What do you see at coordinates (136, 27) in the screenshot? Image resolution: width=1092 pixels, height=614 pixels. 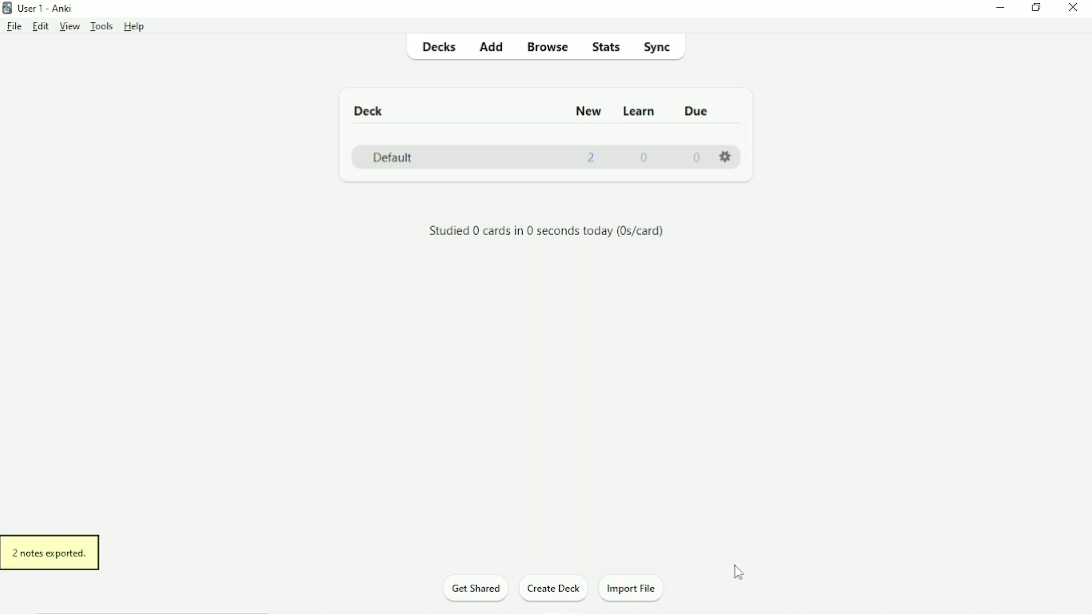 I see `Help` at bounding box center [136, 27].